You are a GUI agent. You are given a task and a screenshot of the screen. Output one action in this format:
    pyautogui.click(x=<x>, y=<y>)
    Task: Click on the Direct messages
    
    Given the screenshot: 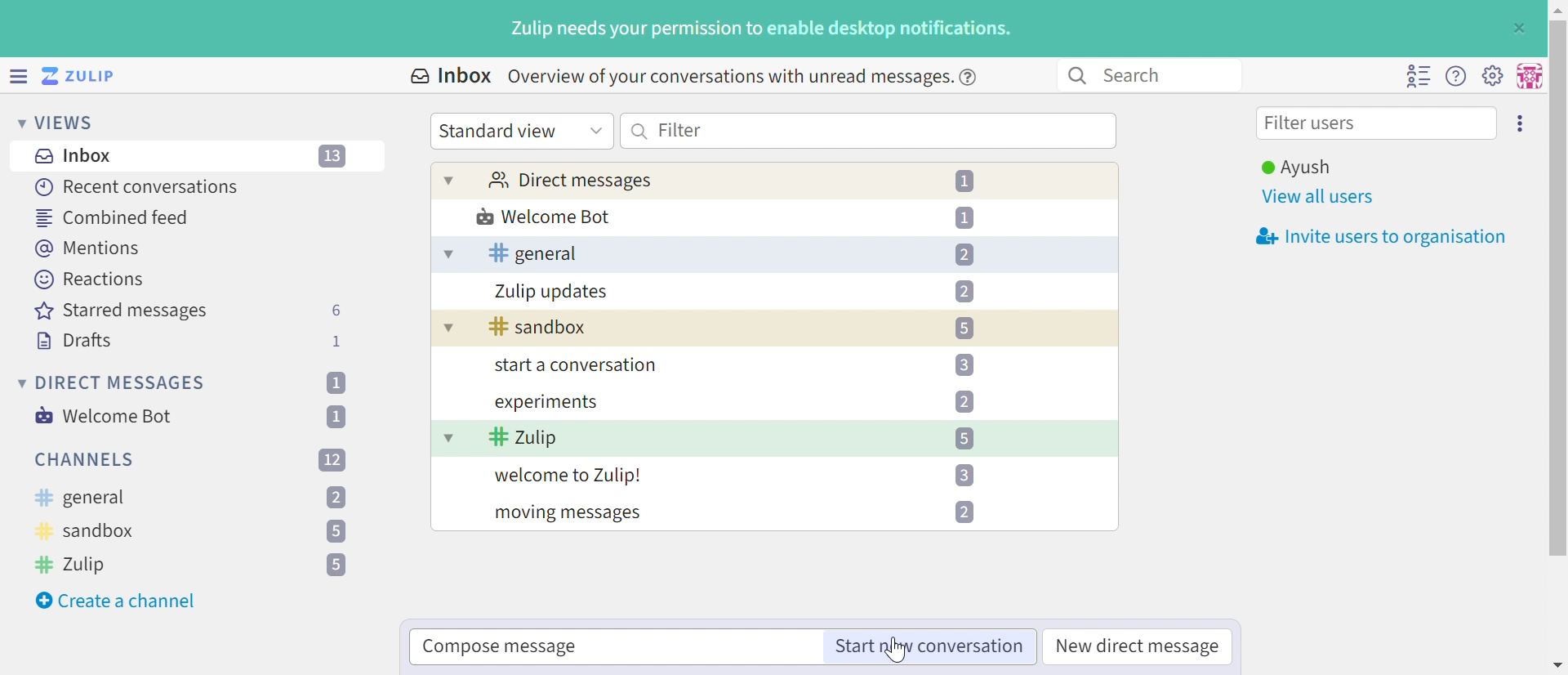 What is the action you would take?
    pyautogui.click(x=569, y=181)
    